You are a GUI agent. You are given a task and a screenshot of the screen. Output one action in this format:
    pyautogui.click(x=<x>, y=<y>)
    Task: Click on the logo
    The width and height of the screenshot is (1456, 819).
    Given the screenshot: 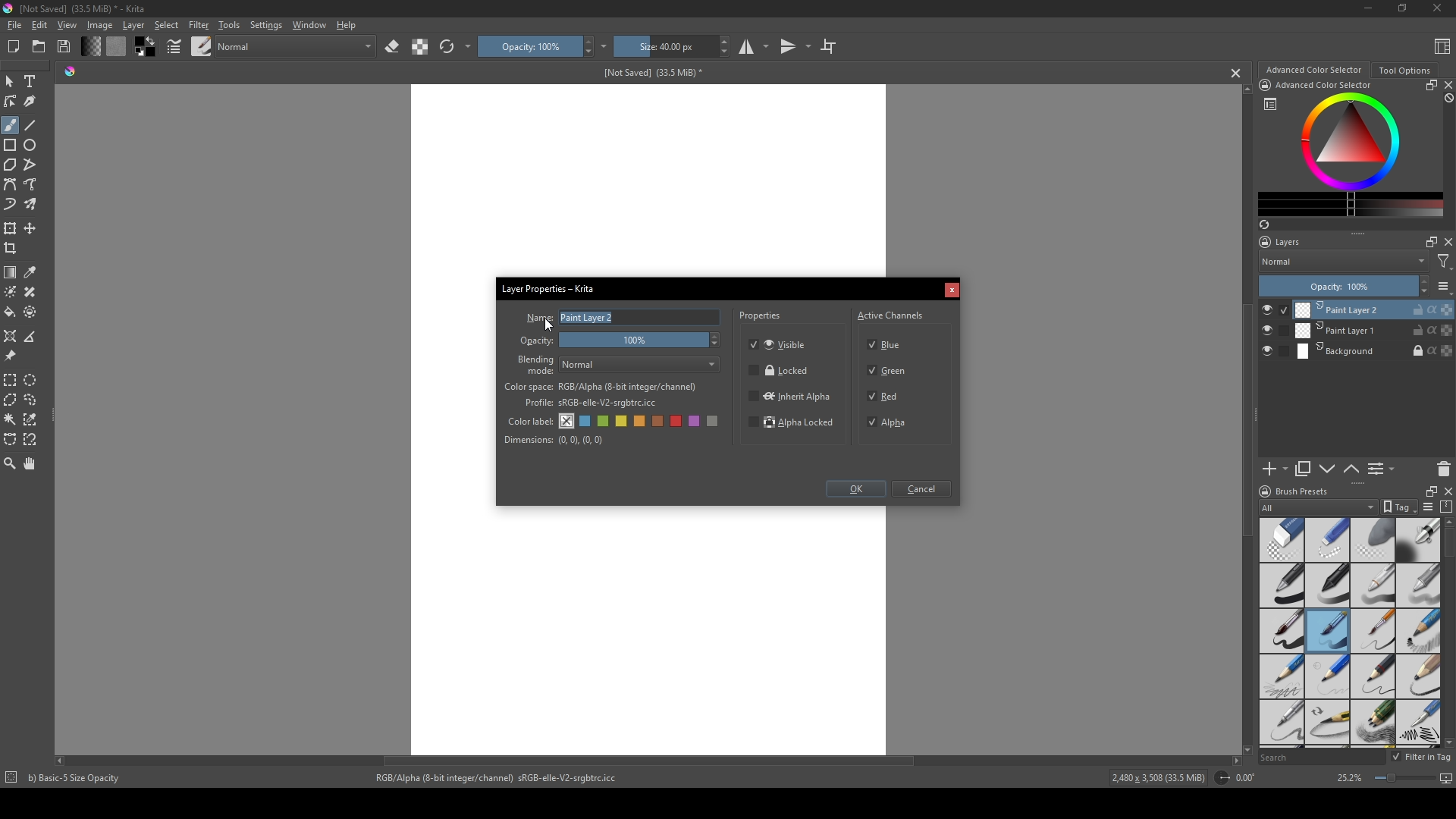 What is the action you would take?
    pyautogui.click(x=9, y=8)
    